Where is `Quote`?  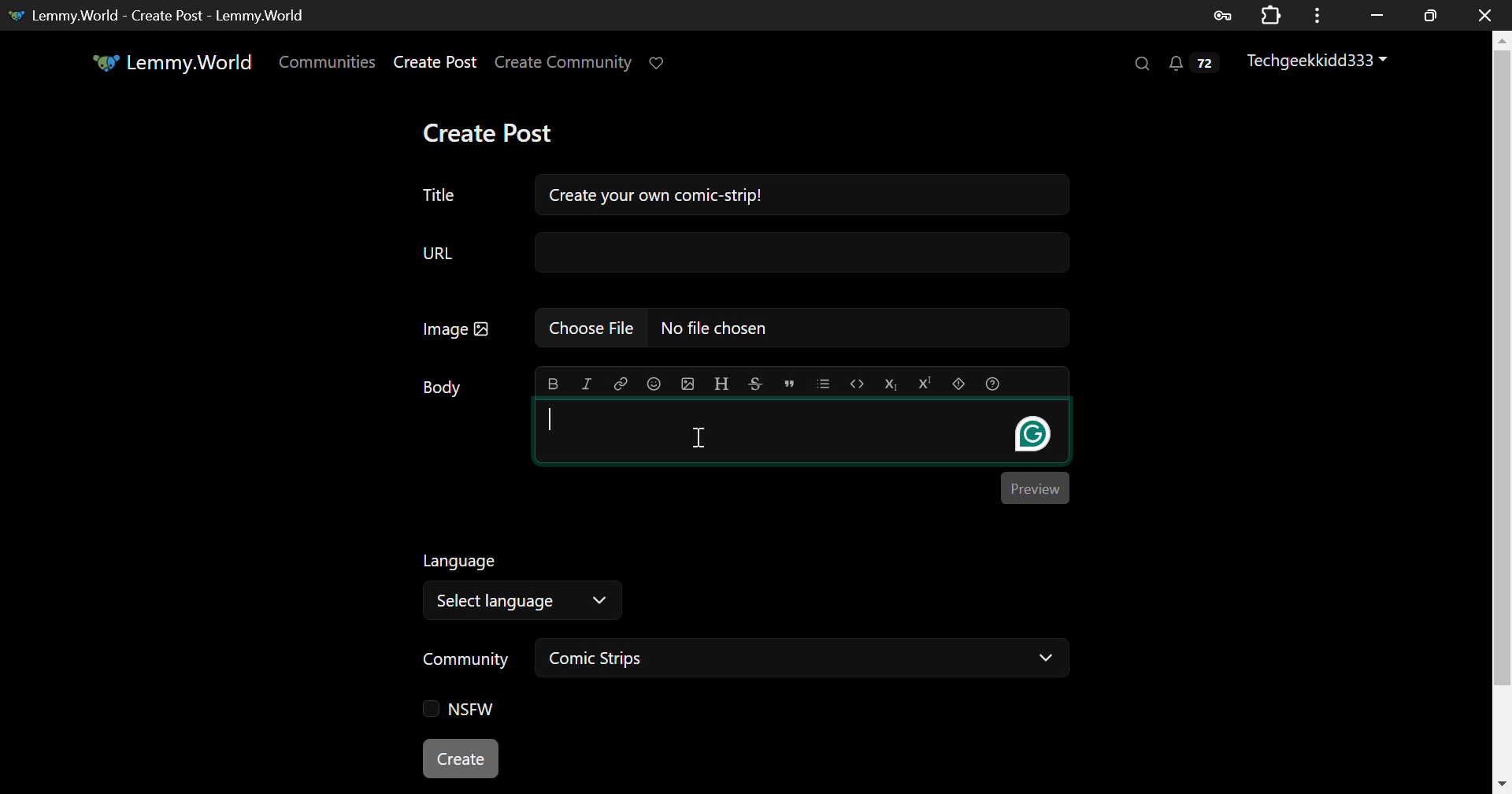 Quote is located at coordinates (789, 382).